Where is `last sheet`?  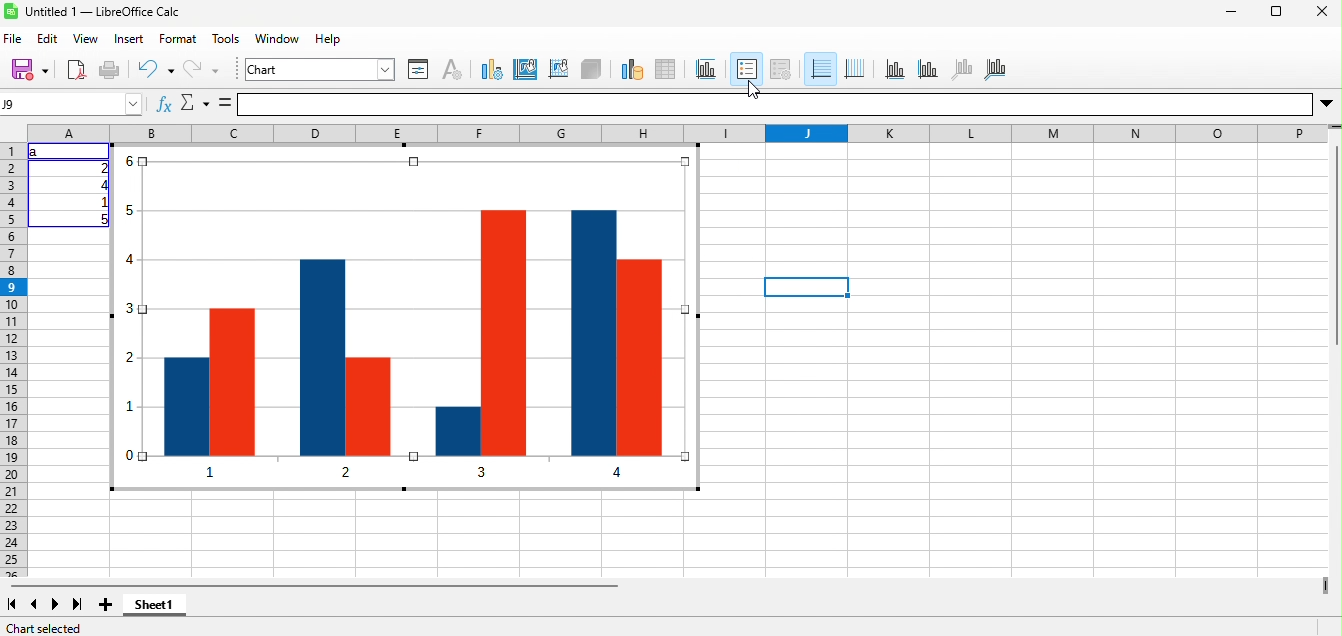
last sheet is located at coordinates (78, 605).